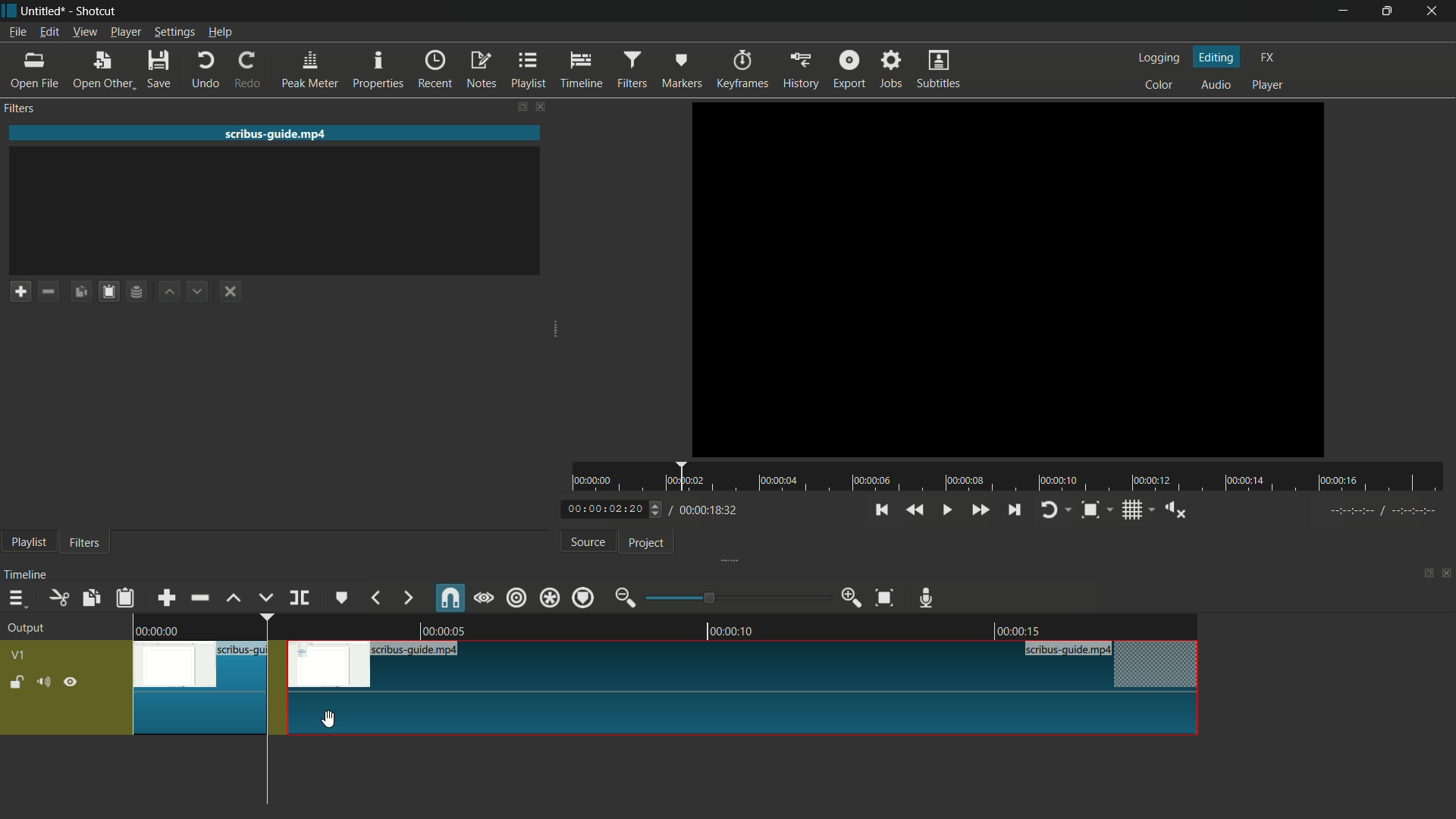 The height and width of the screenshot is (819, 1456). Describe the element at coordinates (31, 69) in the screenshot. I see `open file` at that location.